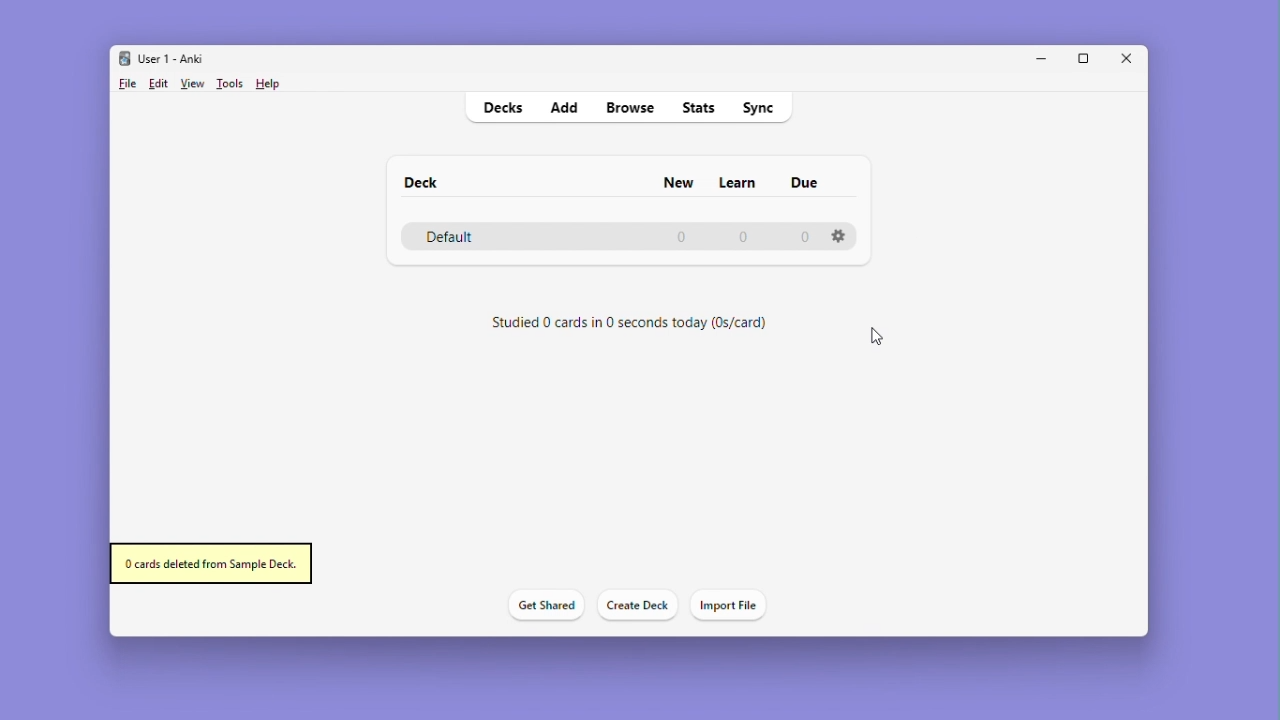 The width and height of the screenshot is (1280, 720). Describe the element at coordinates (501, 108) in the screenshot. I see `Decks` at that location.